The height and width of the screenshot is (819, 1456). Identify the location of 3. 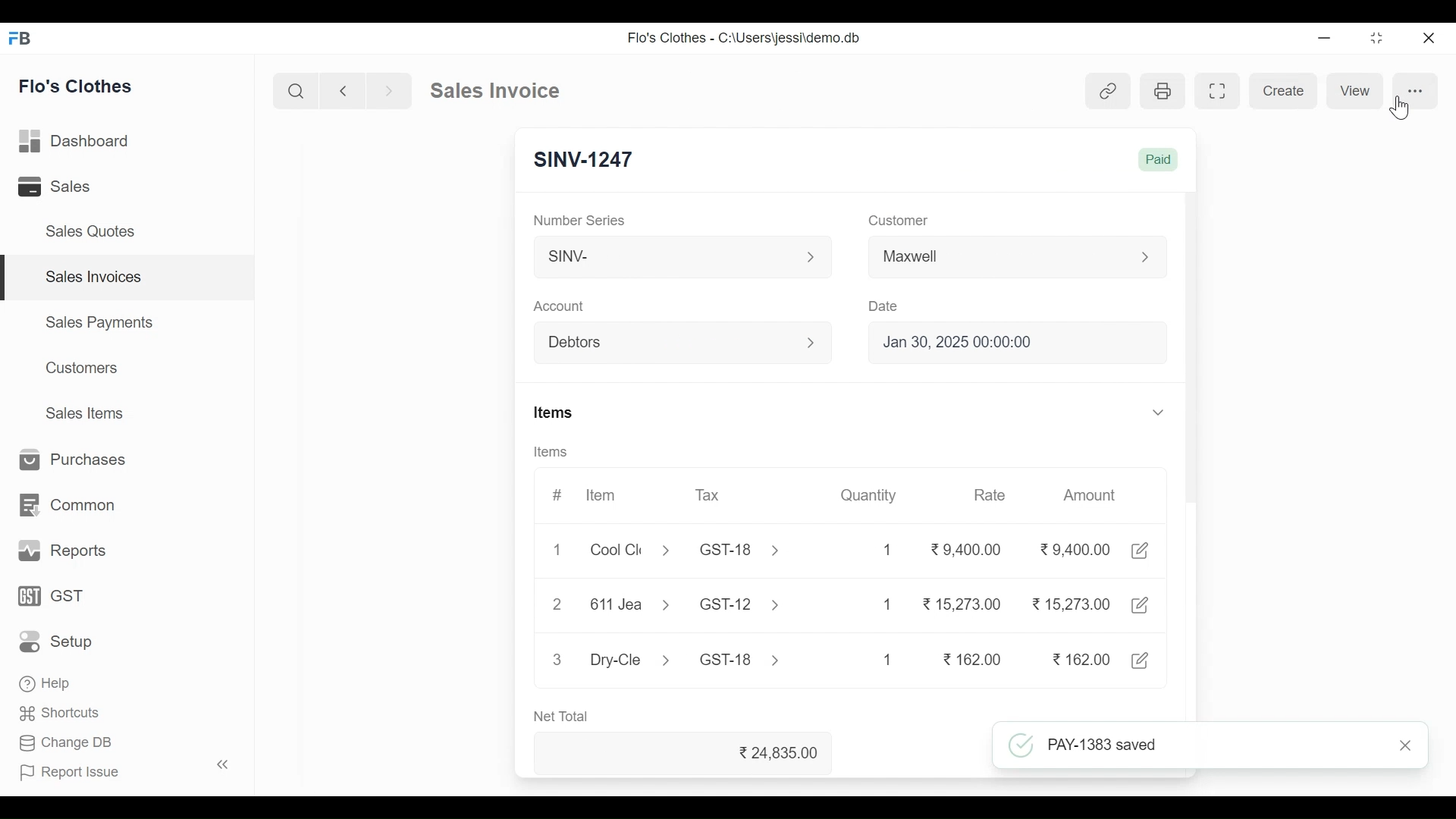
(557, 658).